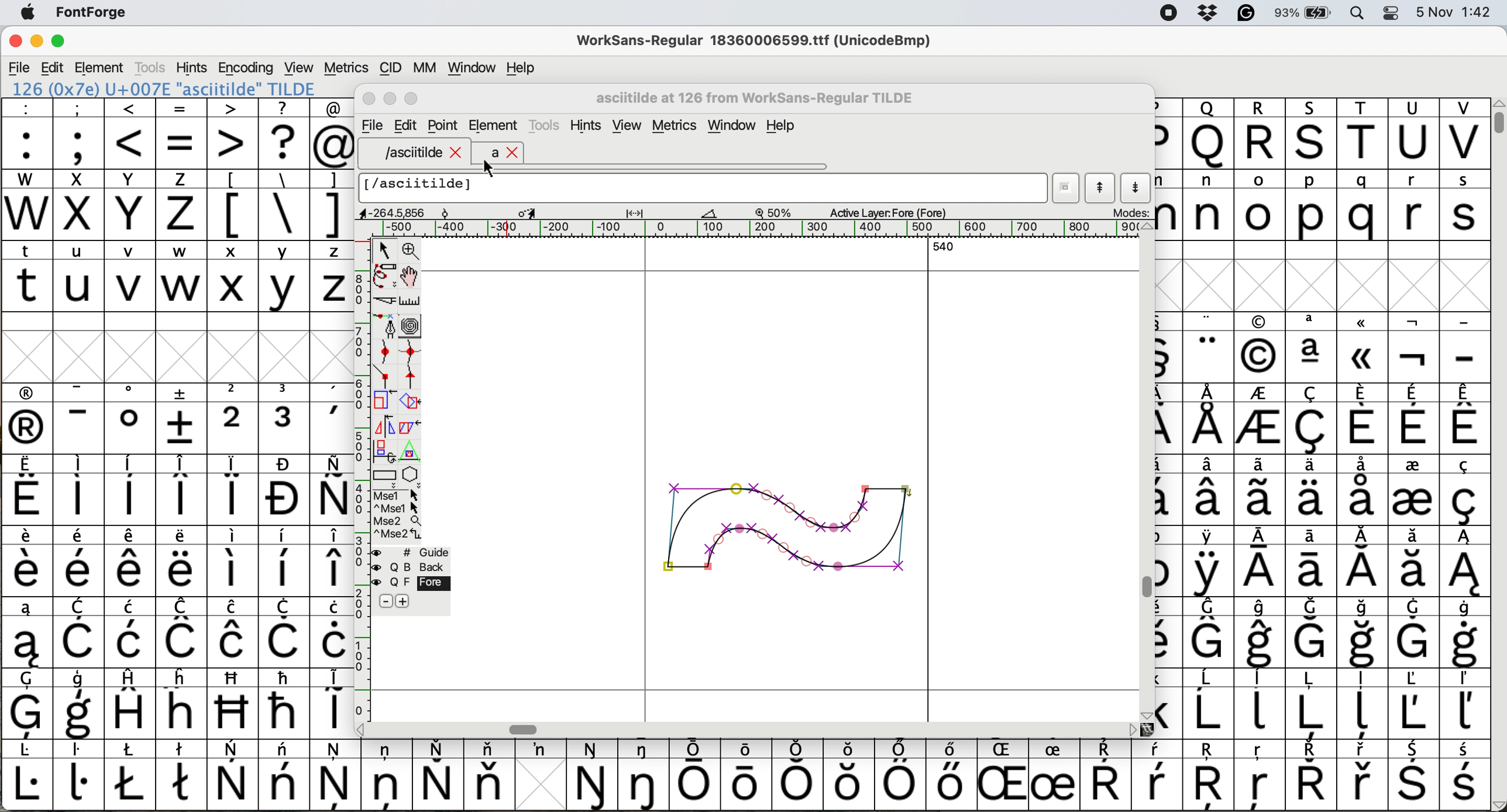 Image resolution: width=1507 pixels, height=812 pixels. What do you see at coordinates (404, 601) in the screenshot?
I see `add` at bounding box center [404, 601].